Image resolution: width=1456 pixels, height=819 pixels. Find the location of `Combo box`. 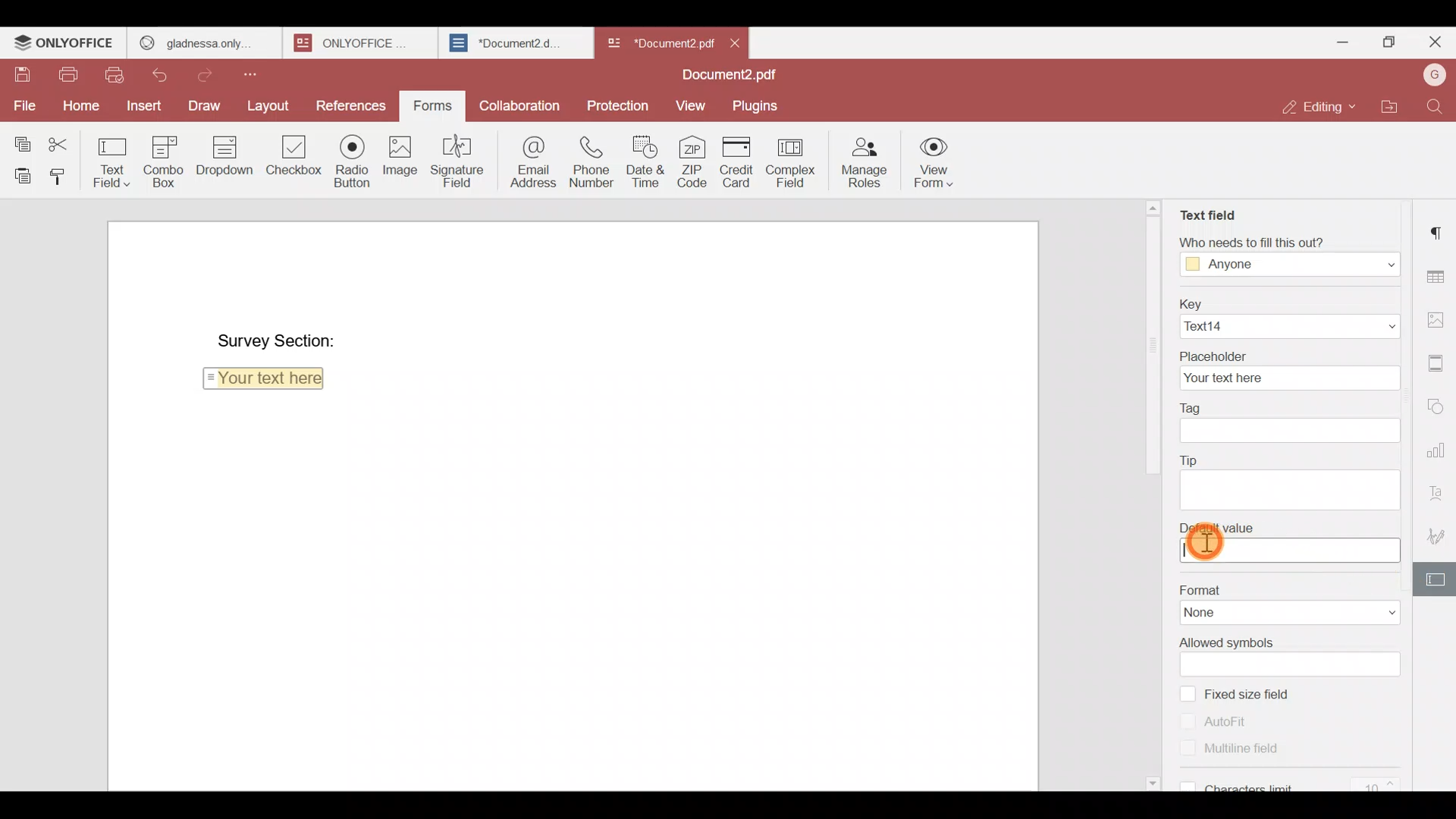

Combo box is located at coordinates (161, 161).